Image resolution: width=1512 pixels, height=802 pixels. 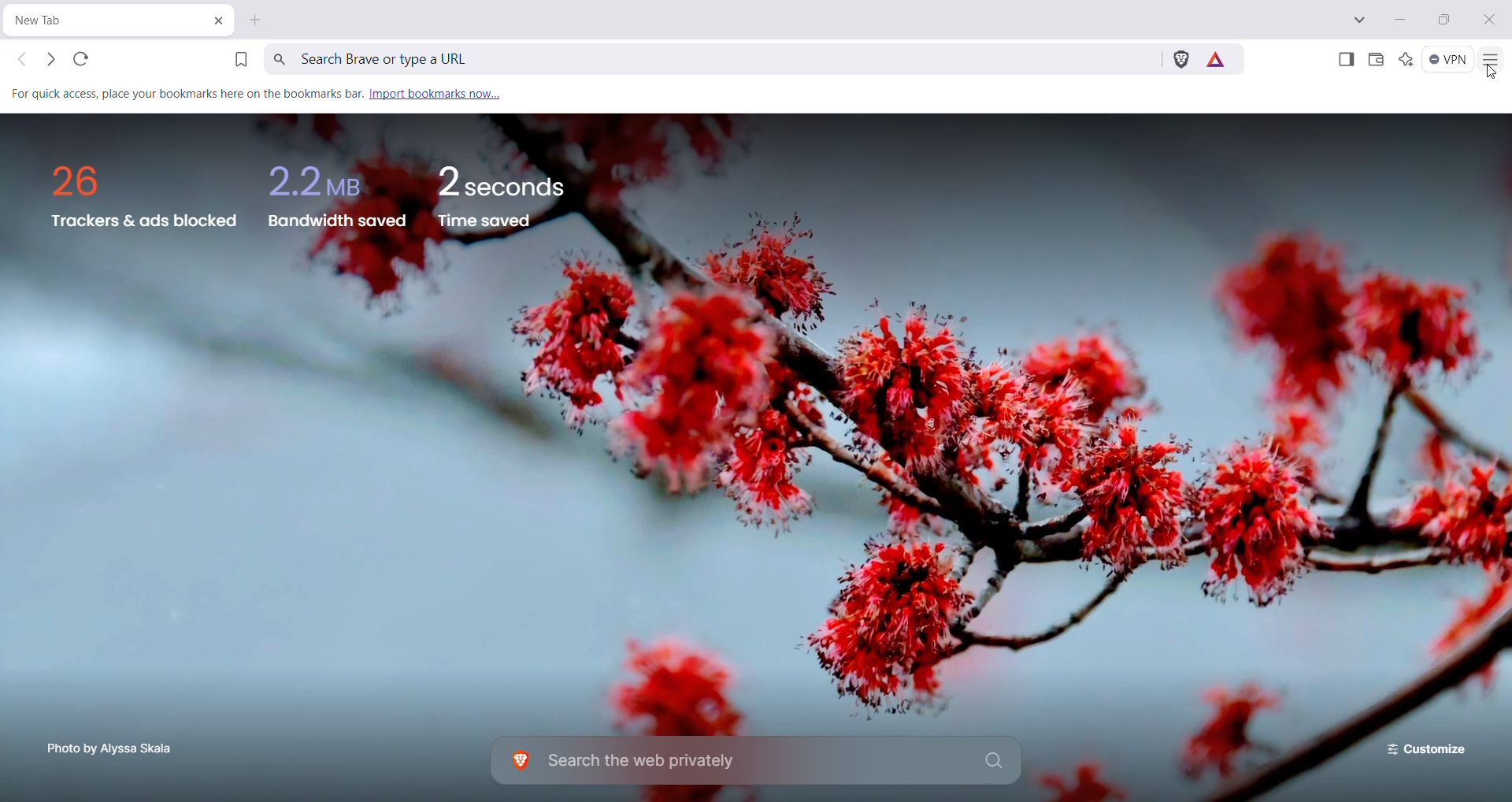 I want to click on Bookmark this page, so click(x=239, y=58).